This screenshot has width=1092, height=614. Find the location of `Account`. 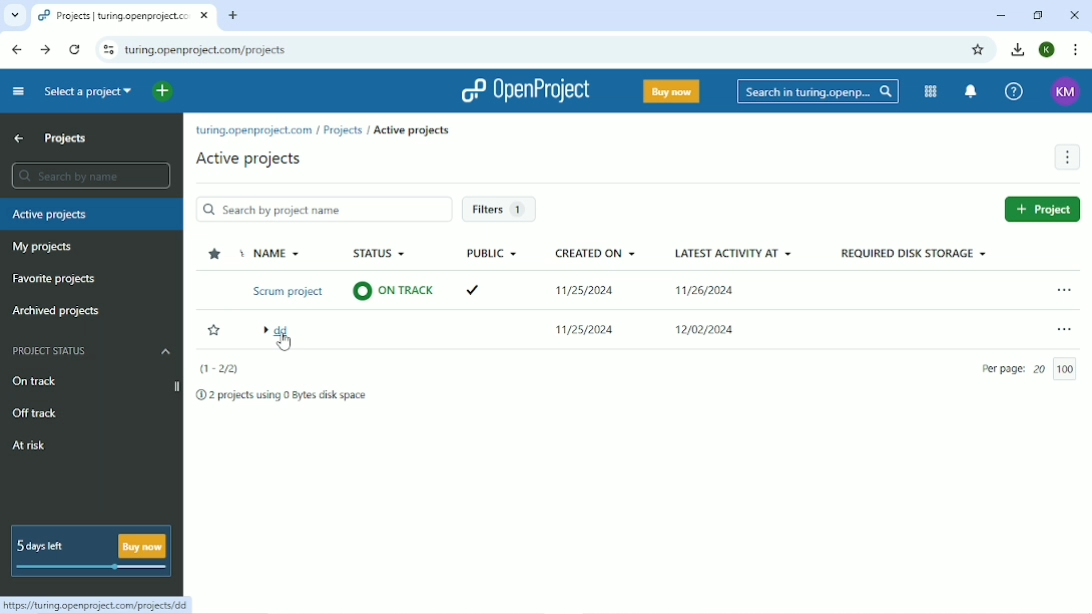

Account is located at coordinates (1048, 49).